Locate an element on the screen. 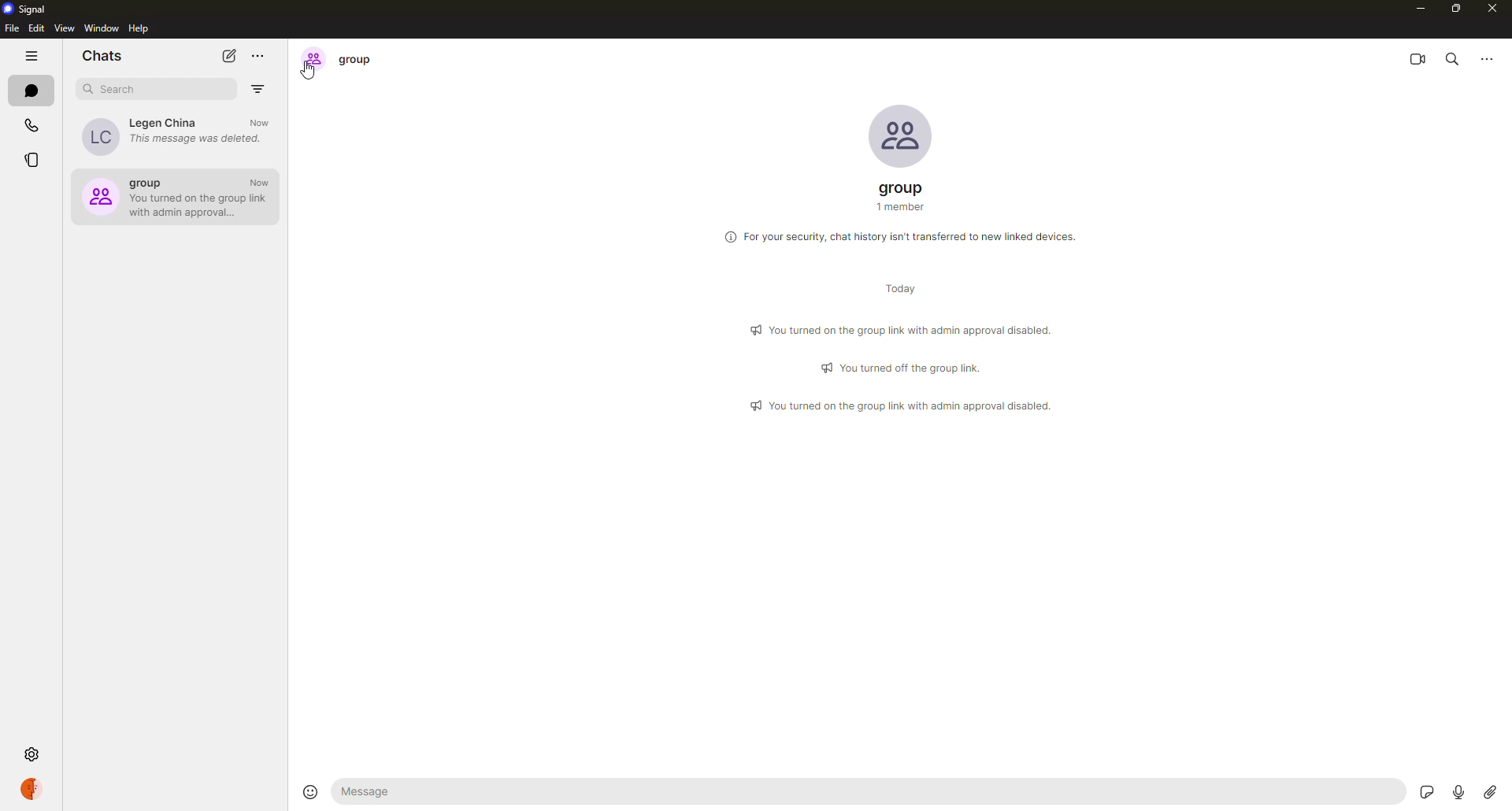 The height and width of the screenshot is (811, 1512). search is located at coordinates (1452, 61).